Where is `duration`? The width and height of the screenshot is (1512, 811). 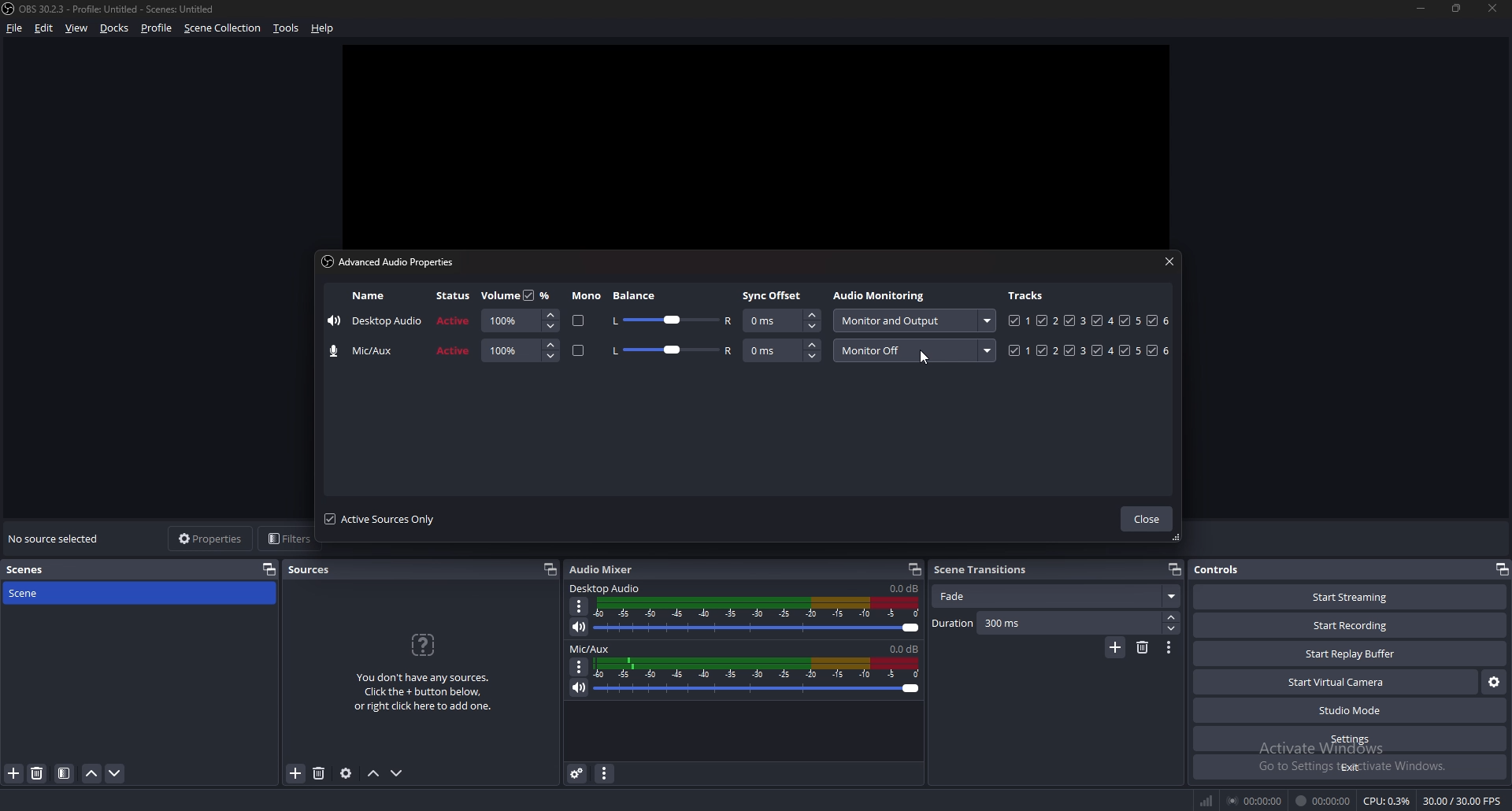
duration is located at coordinates (1045, 624).